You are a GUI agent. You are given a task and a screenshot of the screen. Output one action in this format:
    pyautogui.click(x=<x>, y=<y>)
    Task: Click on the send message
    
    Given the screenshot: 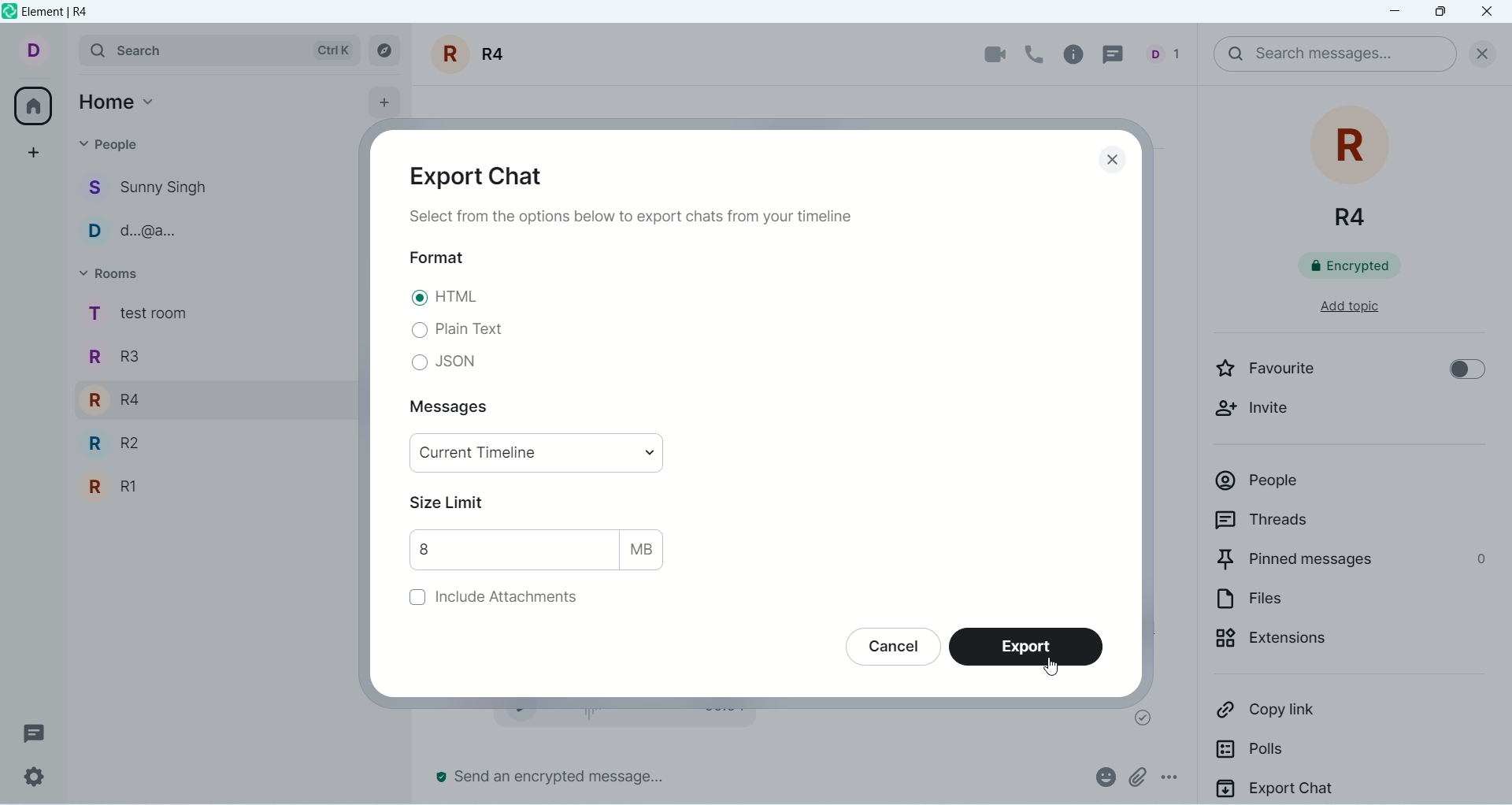 What is the action you would take?
    pyautogui.click(x=552, y=777)
    